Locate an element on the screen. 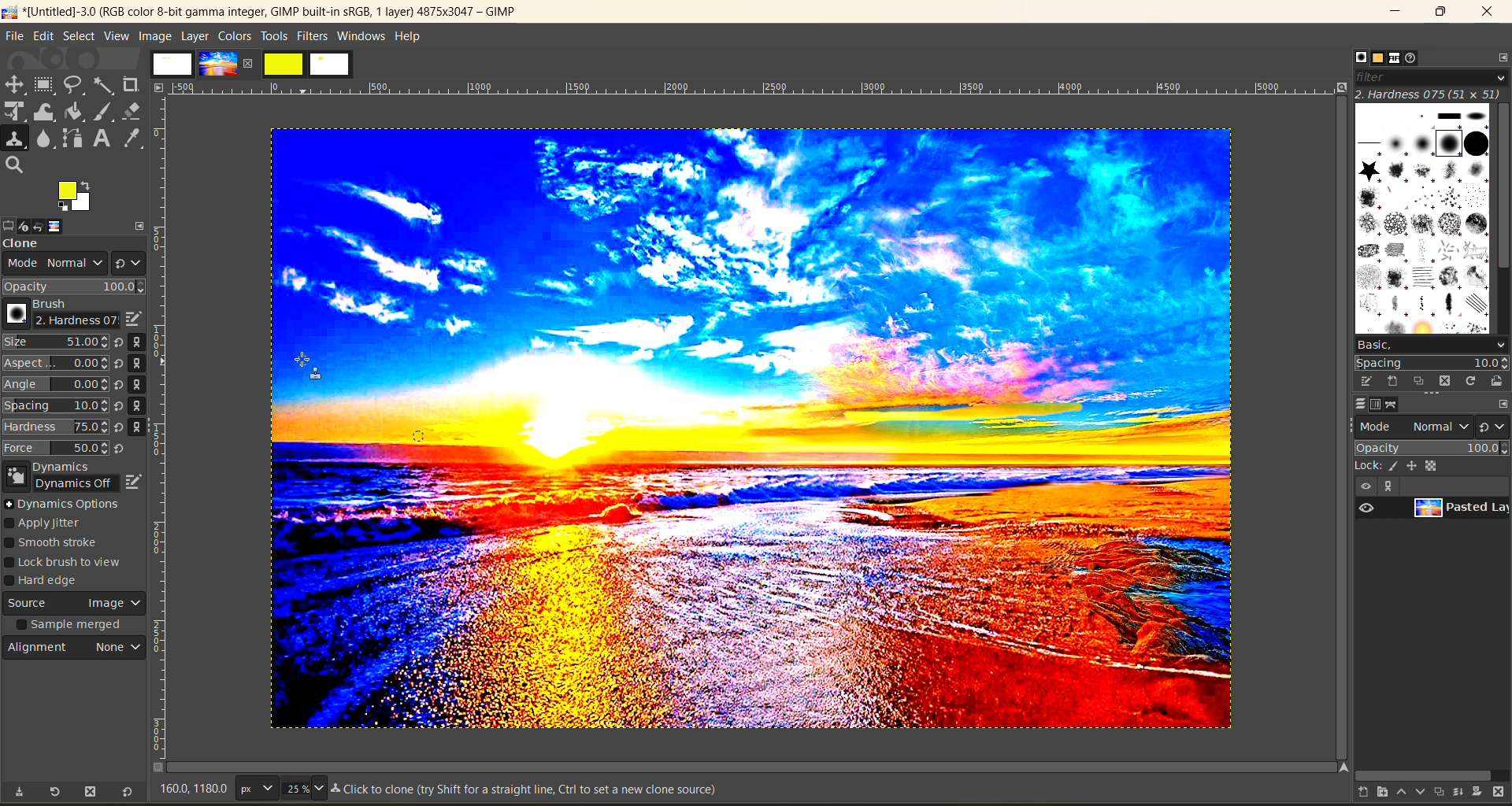 The height and width of the screenshot is (806, 1512). lock brush to view is located at coordinates (70, 563).